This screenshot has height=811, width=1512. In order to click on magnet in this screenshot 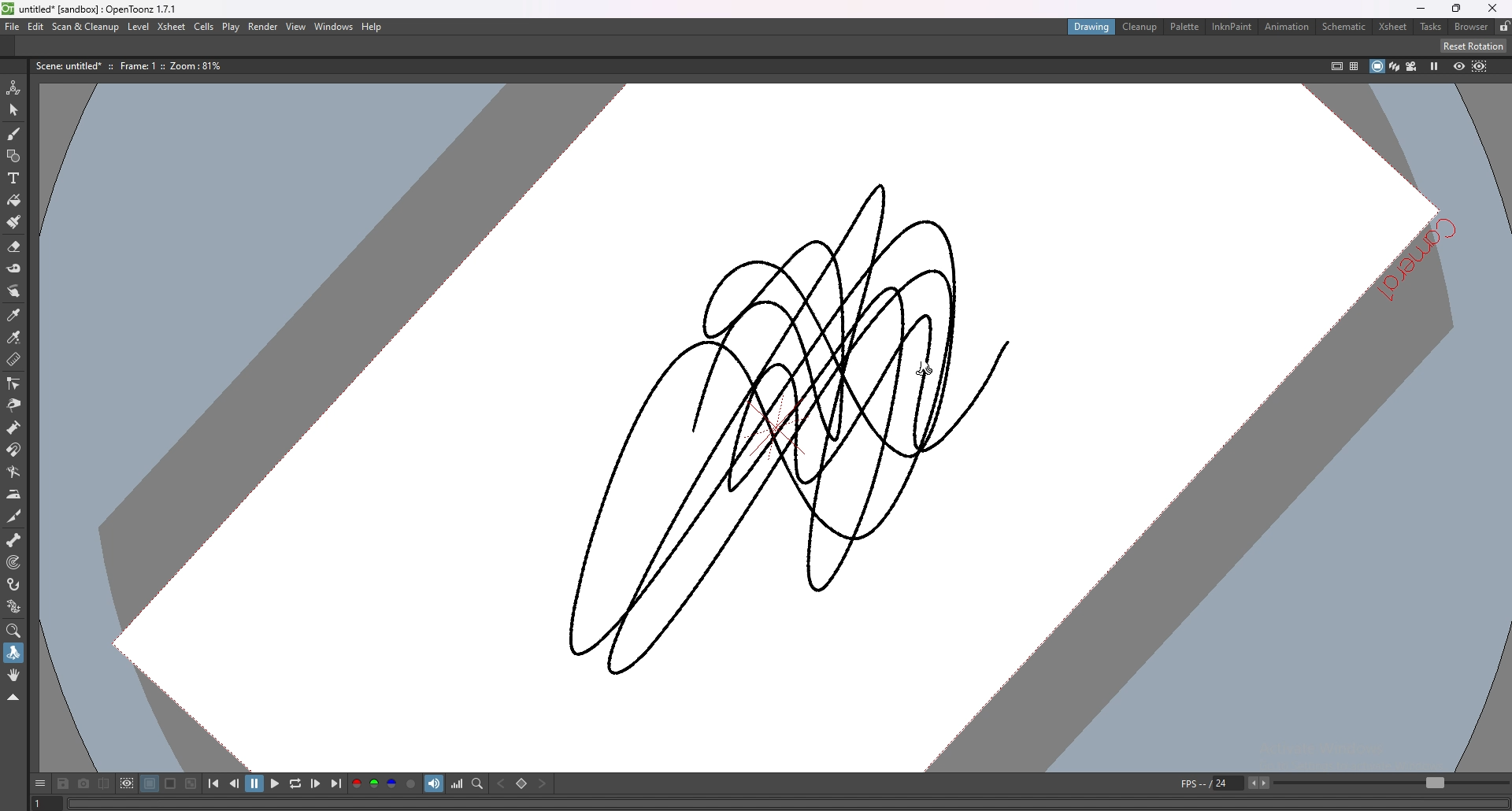, I will do `click(13, 450)`.